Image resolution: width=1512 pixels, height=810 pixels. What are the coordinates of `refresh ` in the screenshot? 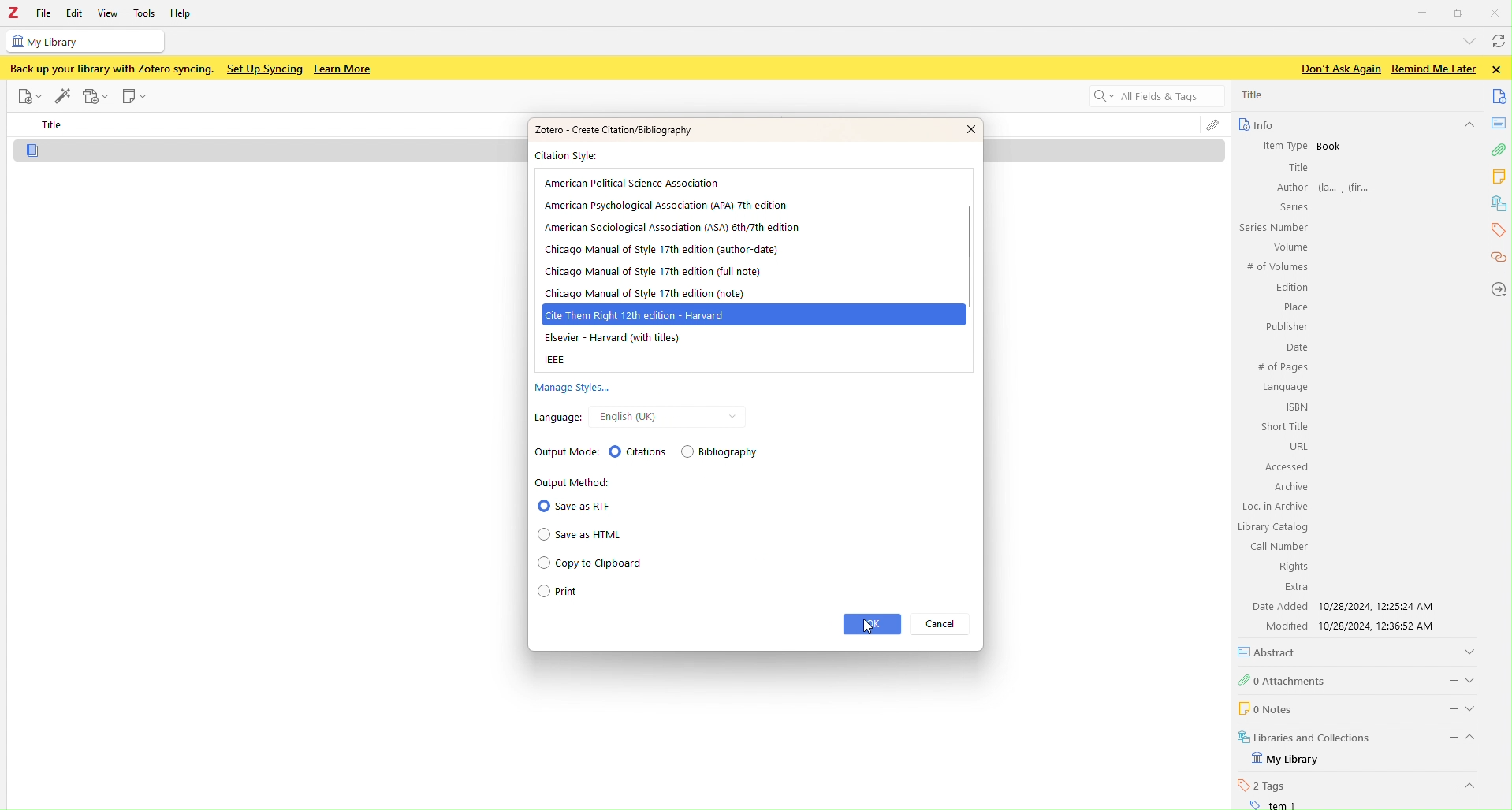 It's located at (1497, 43).